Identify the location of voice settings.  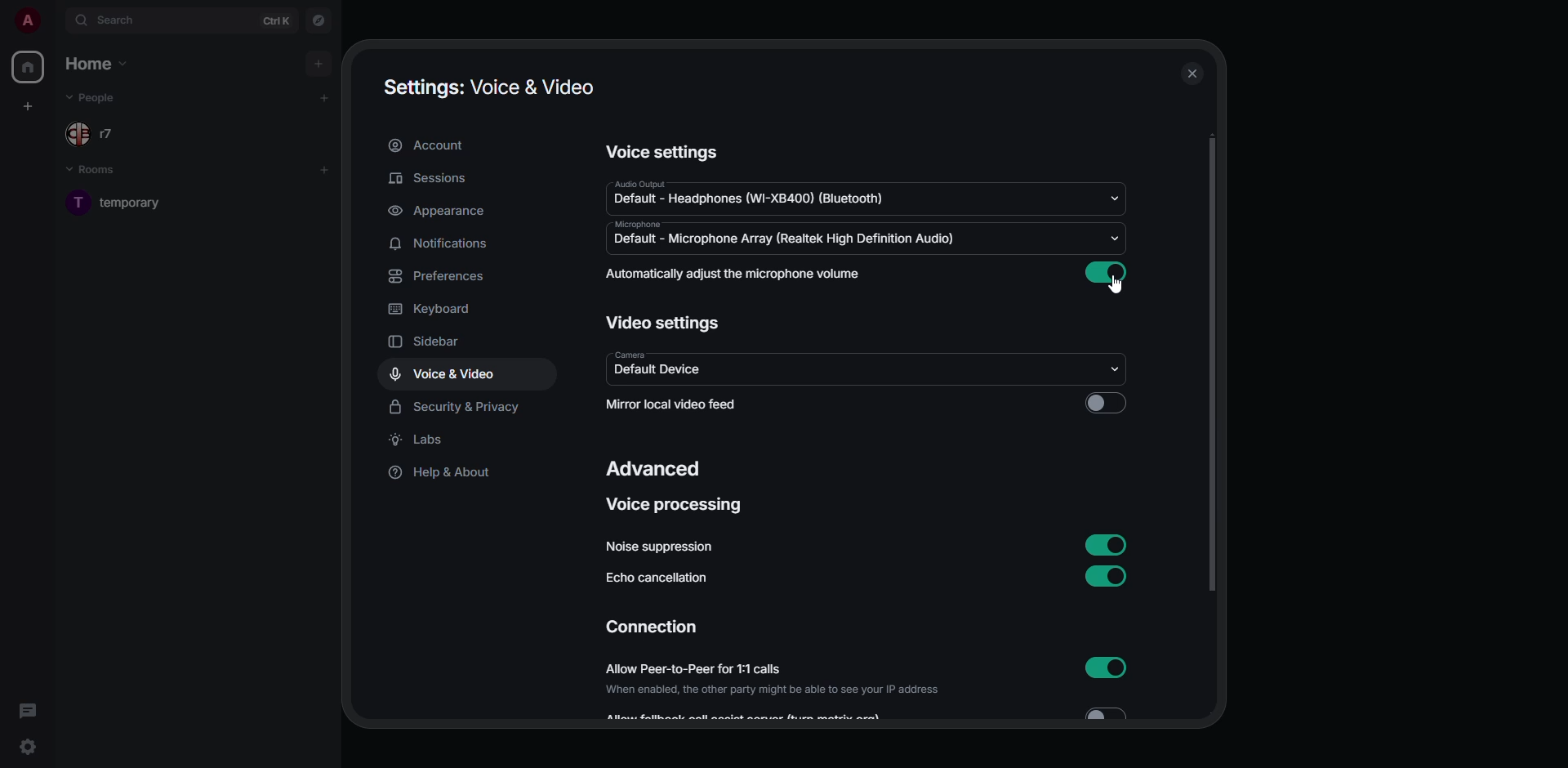
(665, 151).